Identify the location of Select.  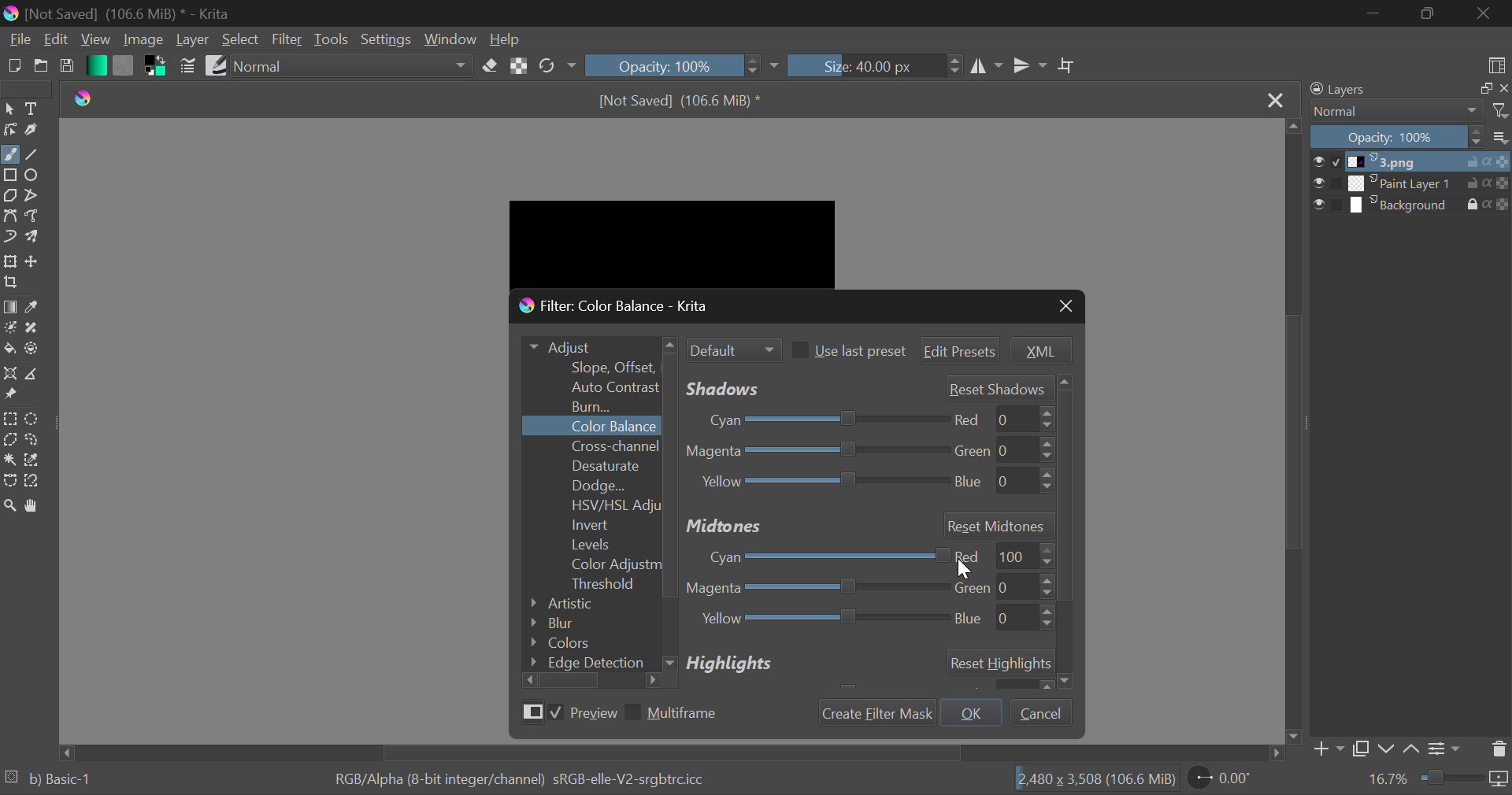
(243, 39).